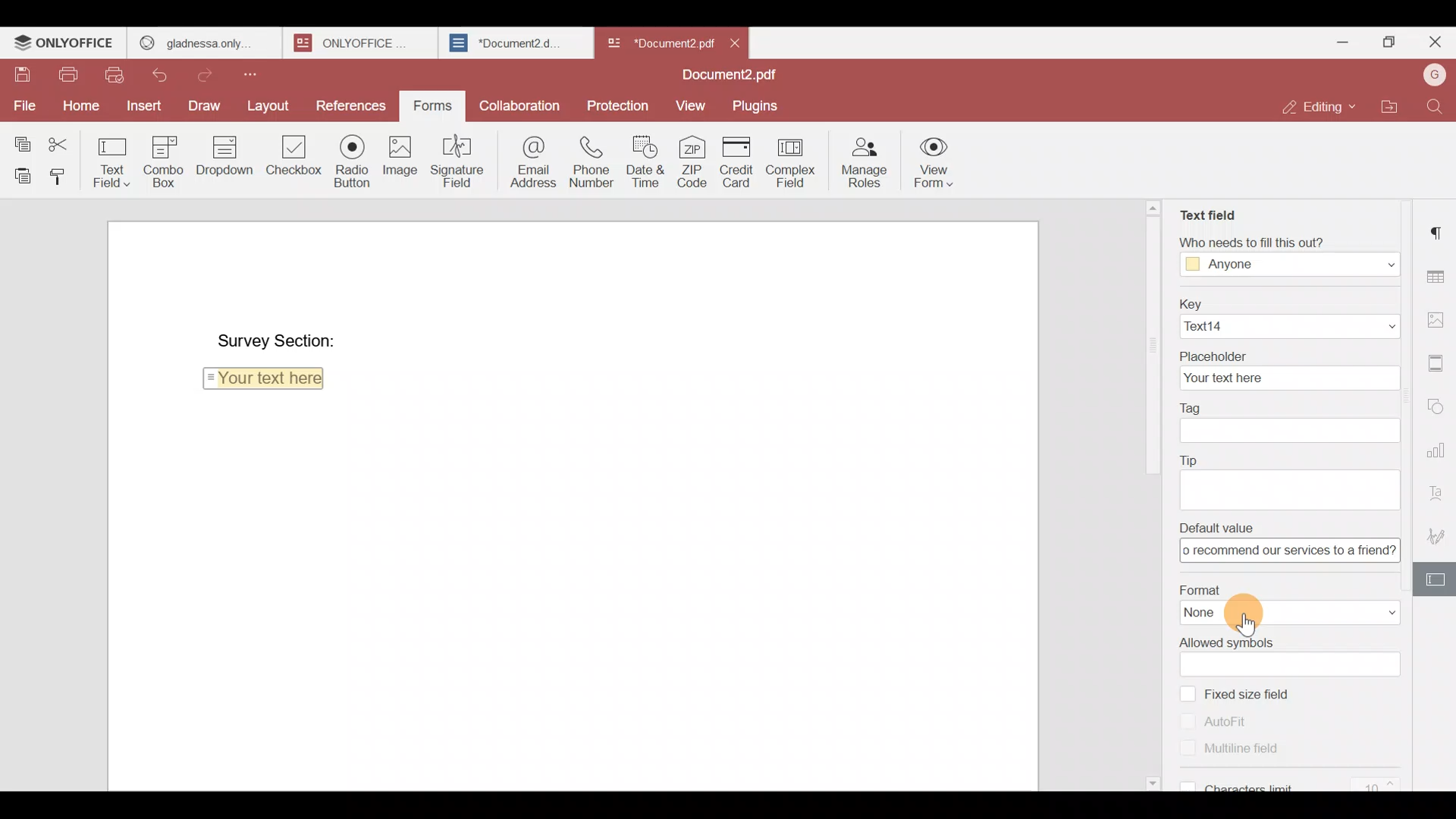 Image resolution: width=1456 pixels, height=819 pixels. Describe the element at coordinates (1284, 301) in the screenshot. I see `Key` at that location.